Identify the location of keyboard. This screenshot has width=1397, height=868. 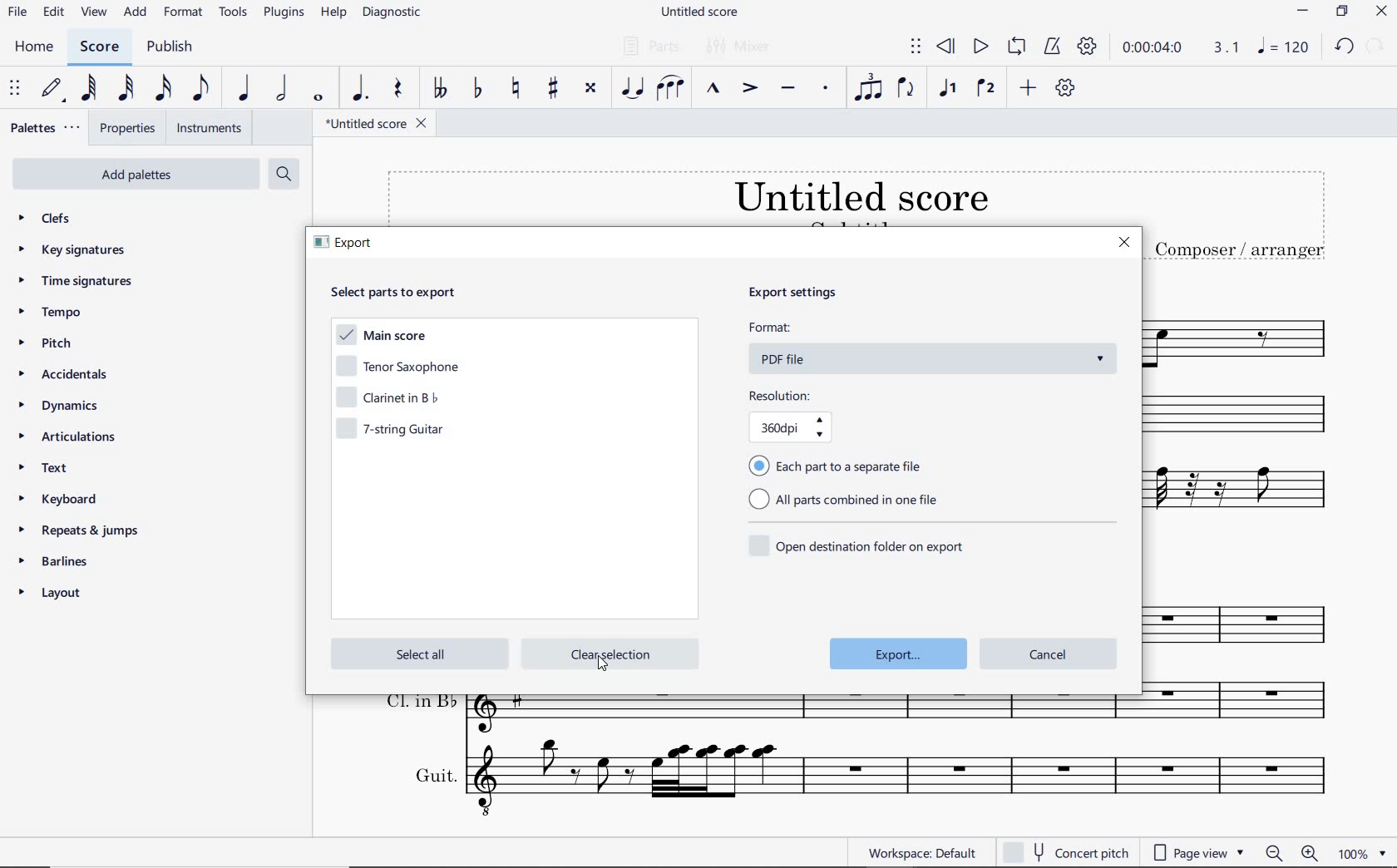
(62, 498).